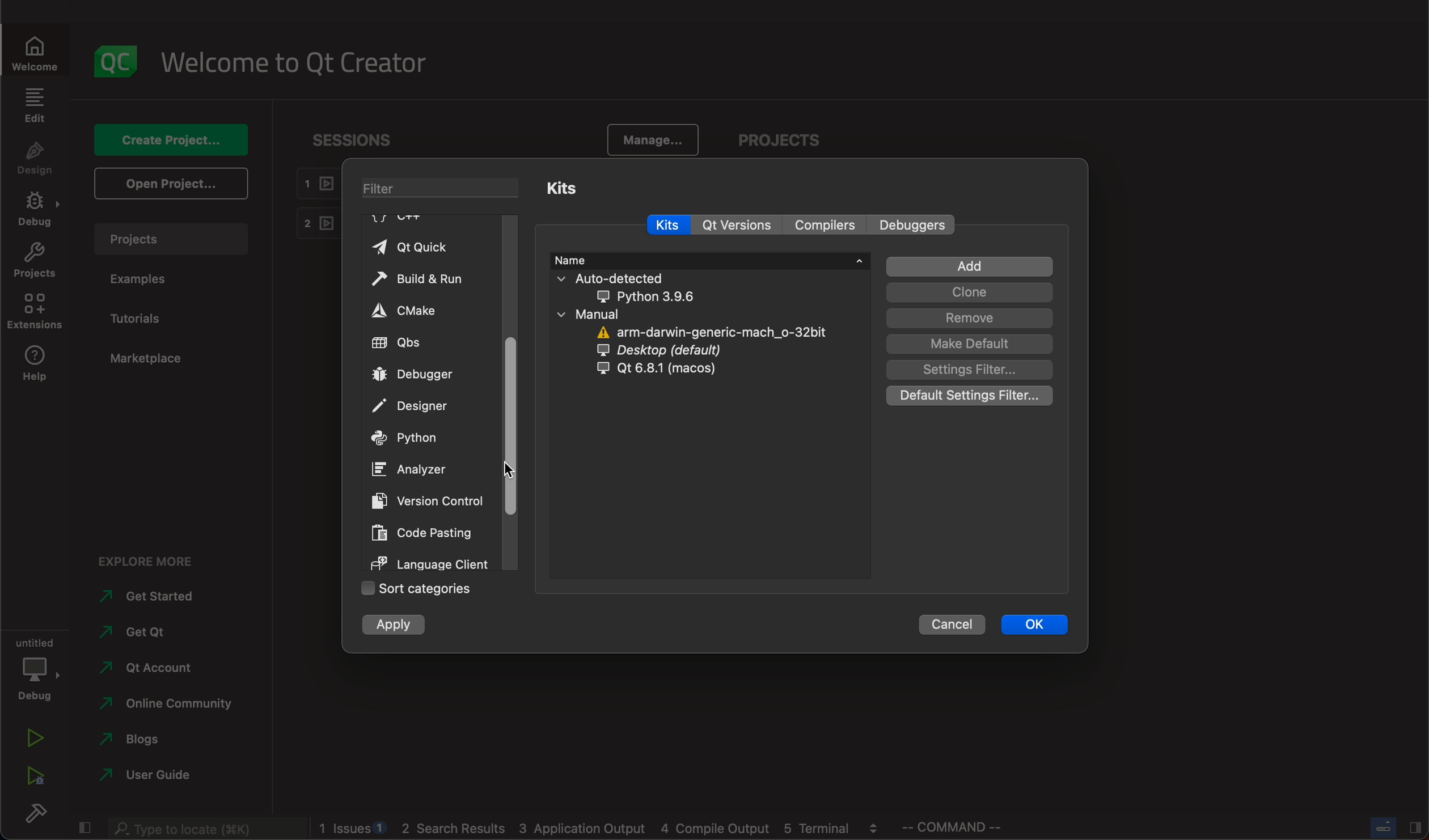 The height and width of the screenshot is (840, 1429). Describe the element at coordinates (443, 188) in the screenshot. I see `filter` at that location.